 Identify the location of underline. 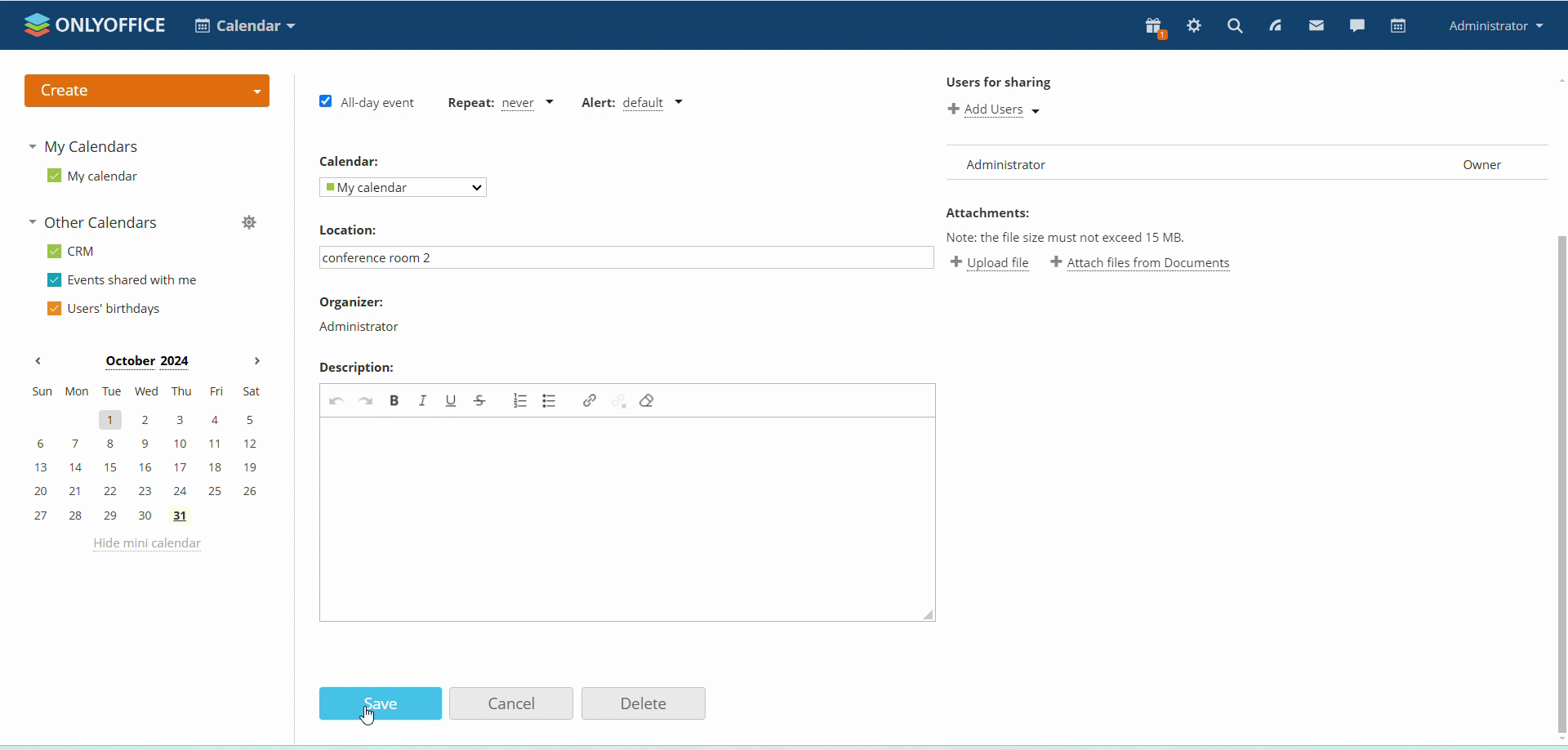
(452, 401).